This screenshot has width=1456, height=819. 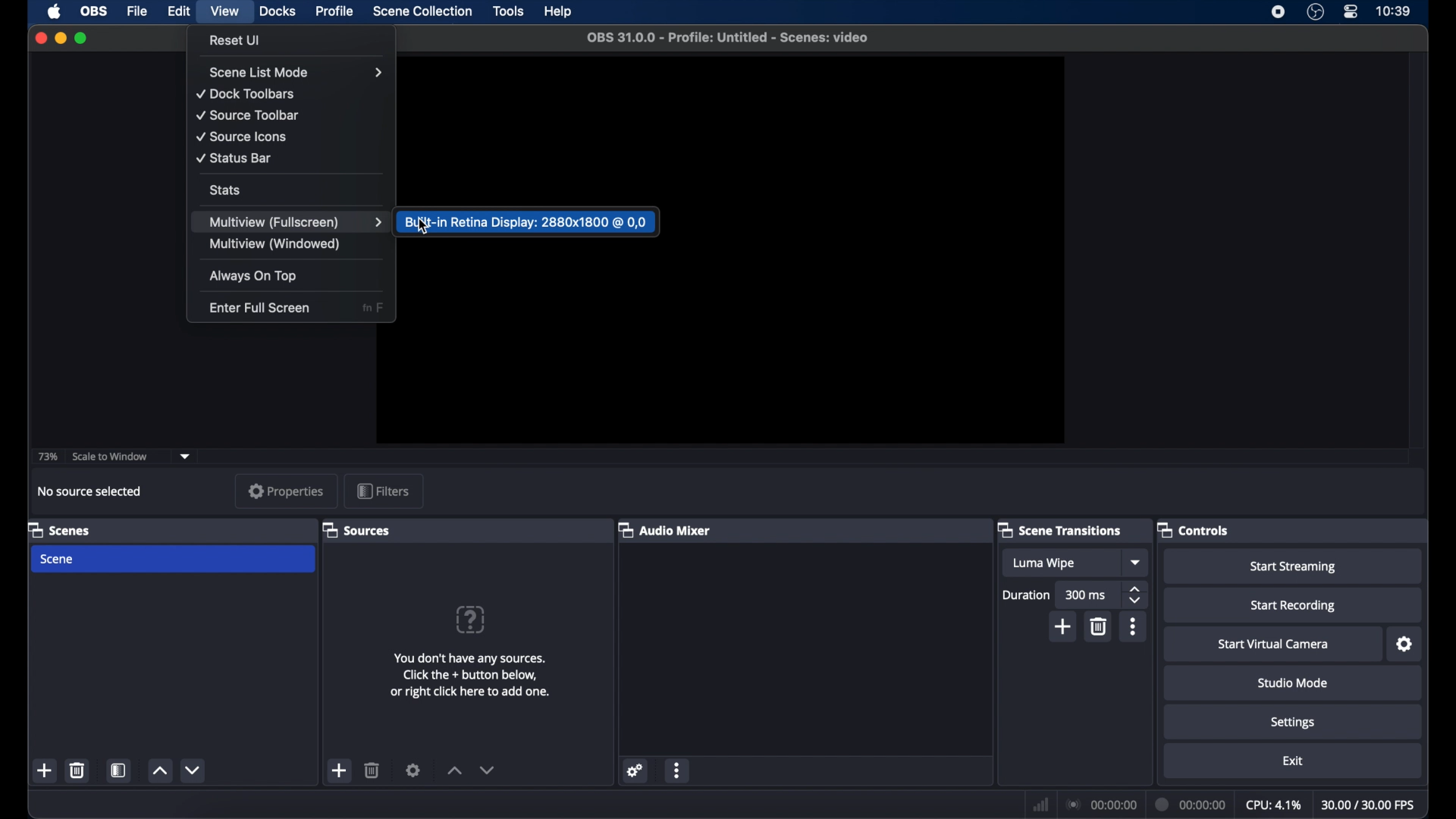 I want to click on maximize, so click(x=83, y=38).